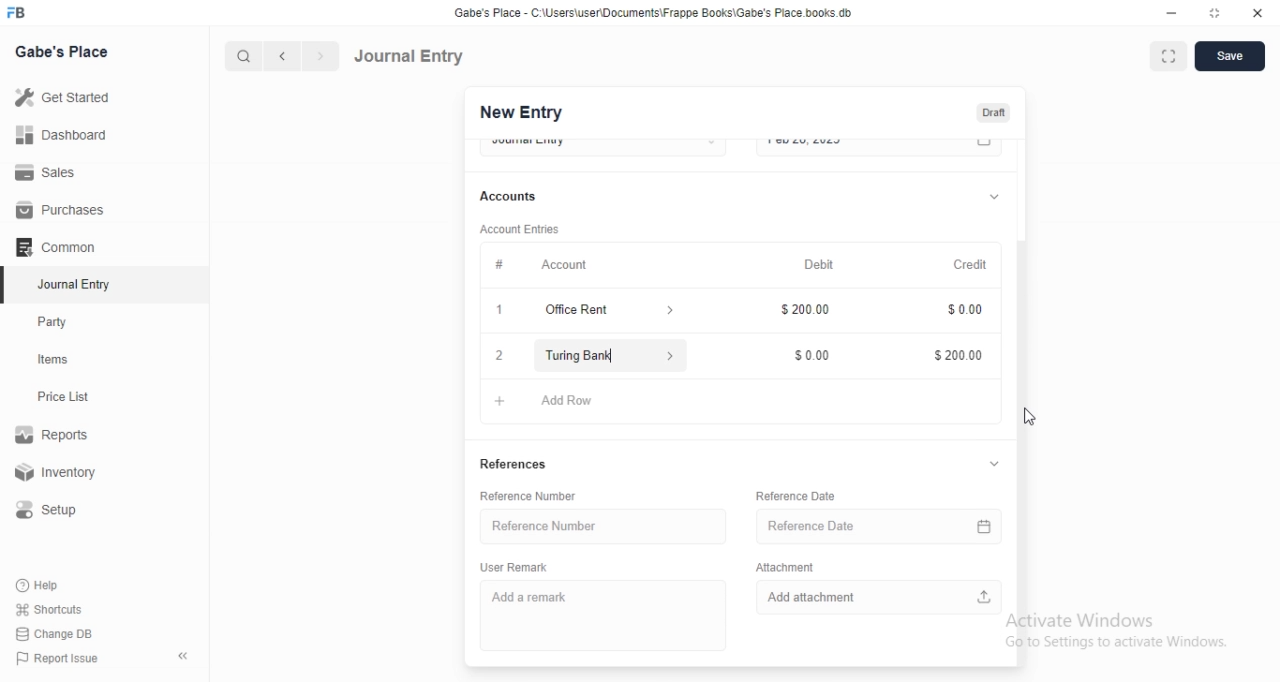 This screenshot has height=682, width=1280. I want to click on restore, so click(1218, 13).